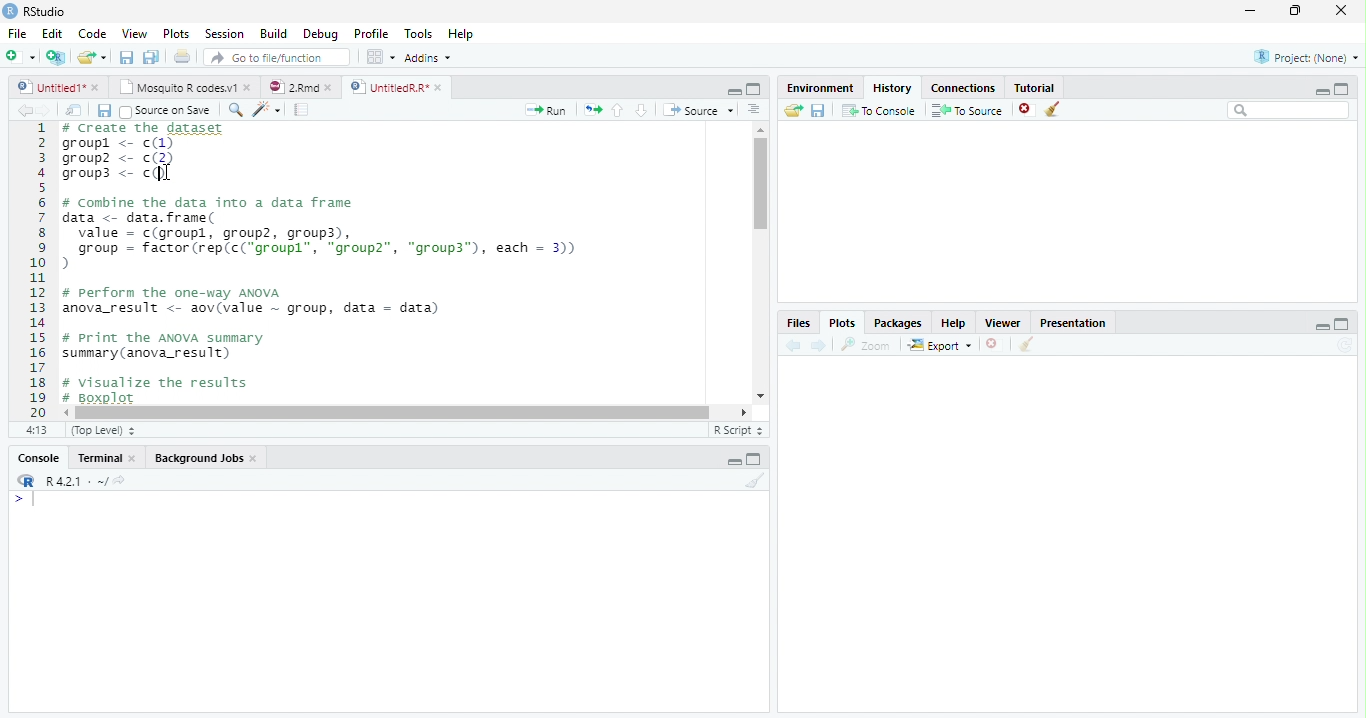 Image resolution: width=1366 pixels, height=718 pixels. Describe the element at coordinates (15, 31) in the screenshot. I see `File` at that location.